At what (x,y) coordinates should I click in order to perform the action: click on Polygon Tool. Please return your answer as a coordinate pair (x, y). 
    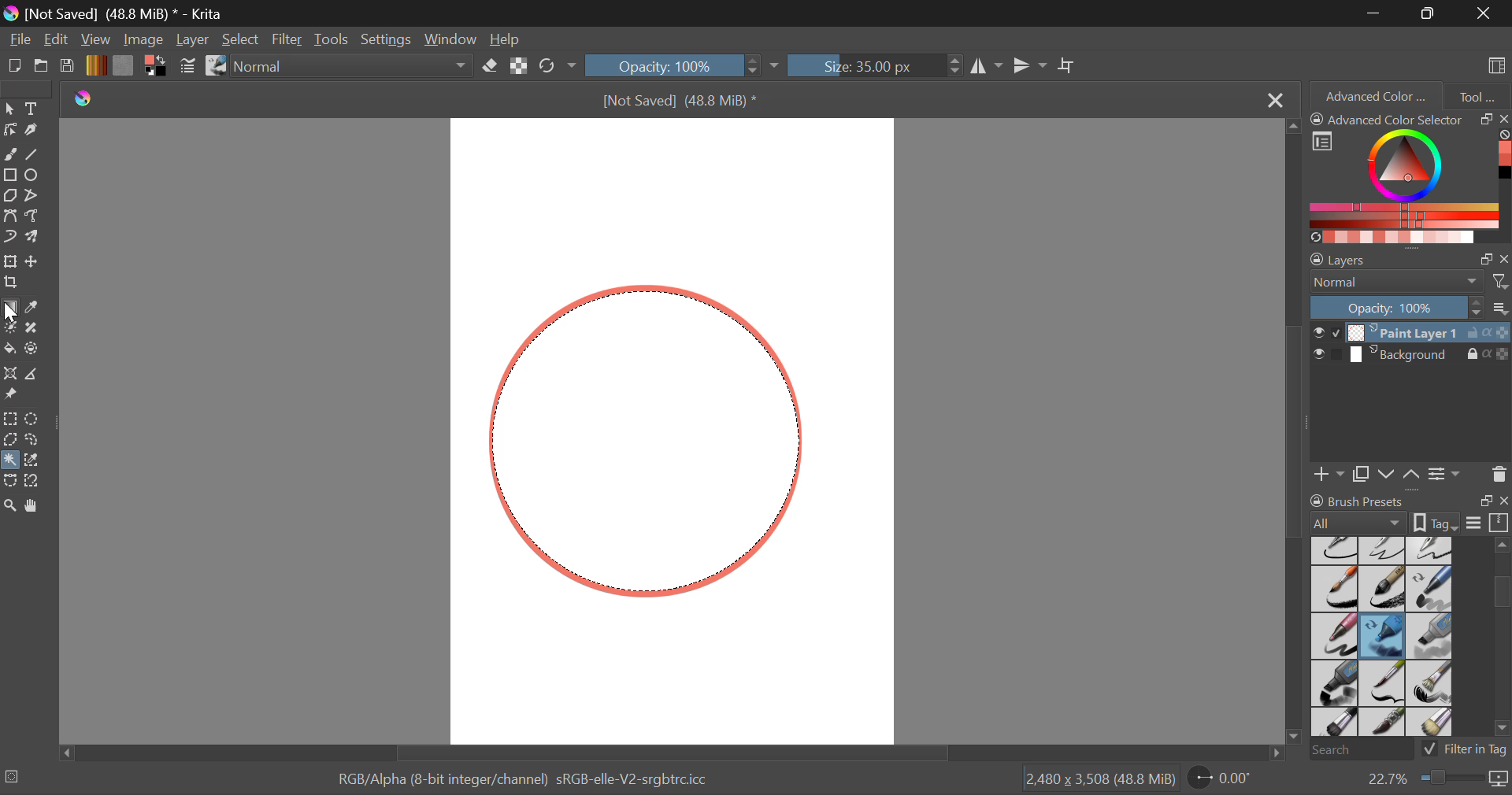
    Looking at the image, I should click on (9, 196).